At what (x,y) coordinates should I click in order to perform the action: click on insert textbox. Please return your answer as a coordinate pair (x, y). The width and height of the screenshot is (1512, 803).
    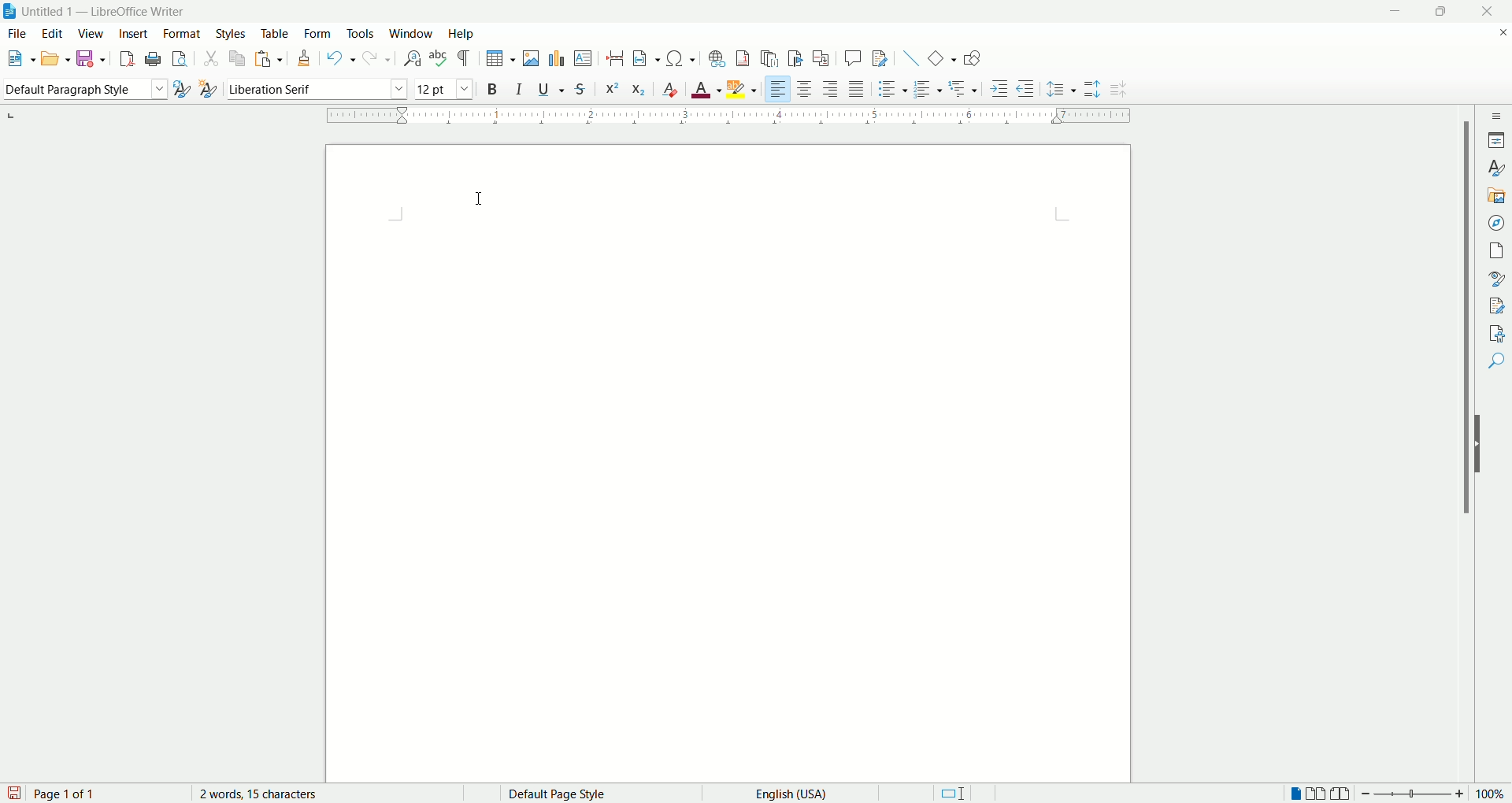
    Looking at the image, I should click on (583, 57).